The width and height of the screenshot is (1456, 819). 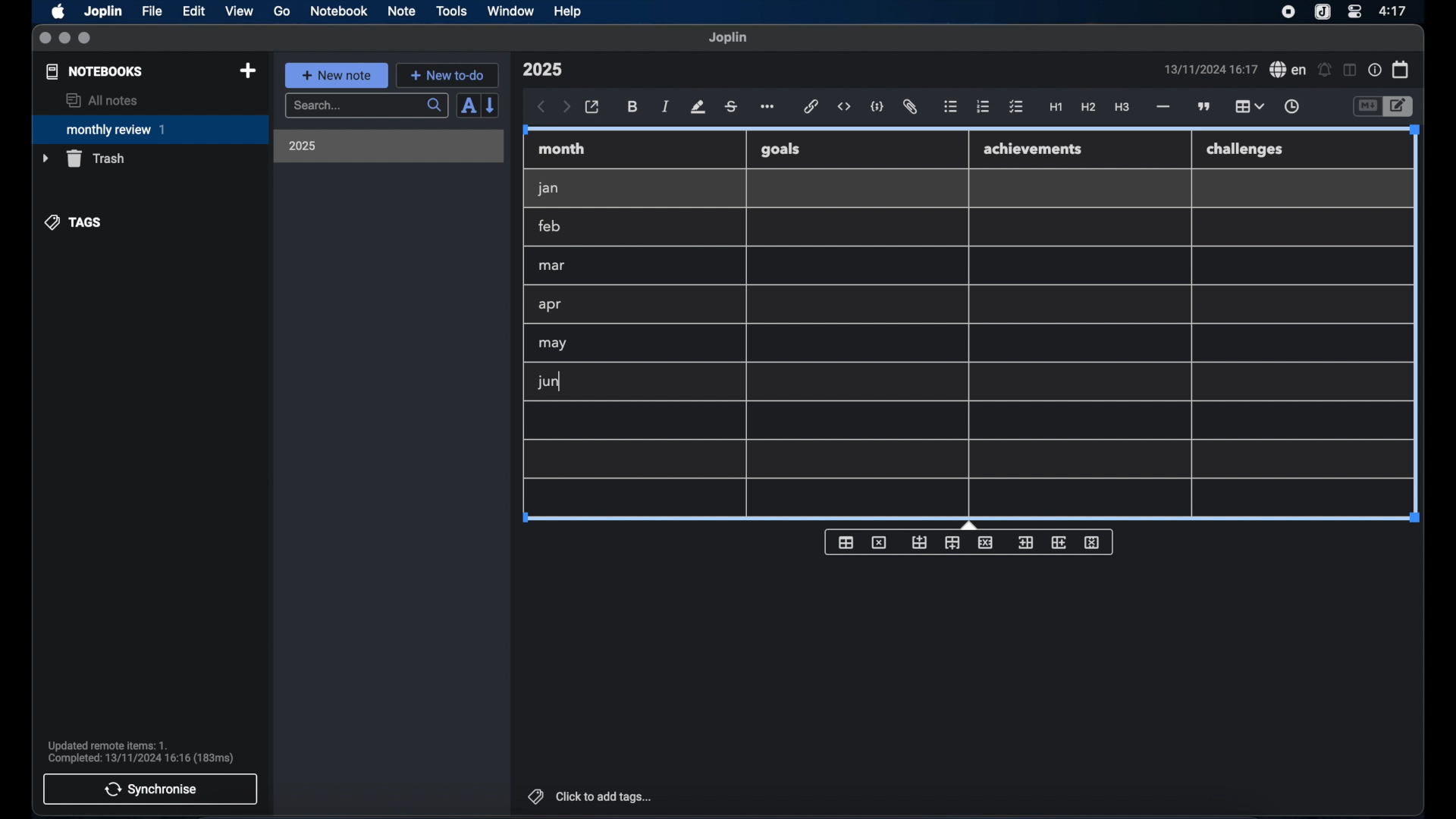 What do you see at coordinates (1401, 107) in the screenshot?
I see `toggle editor` at bounding box center [1401, 107].